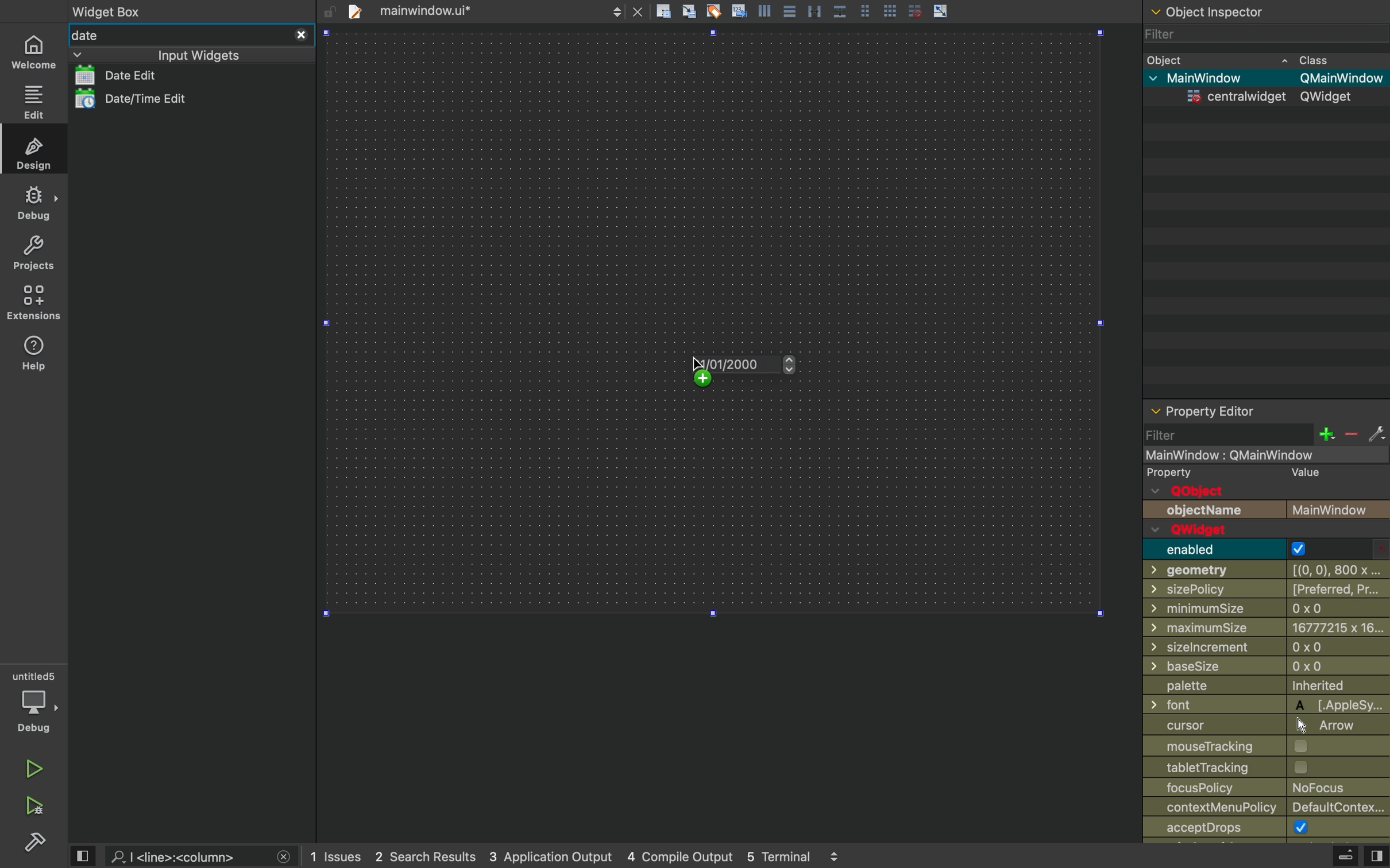  I want to click on object, so click(1252, 59).